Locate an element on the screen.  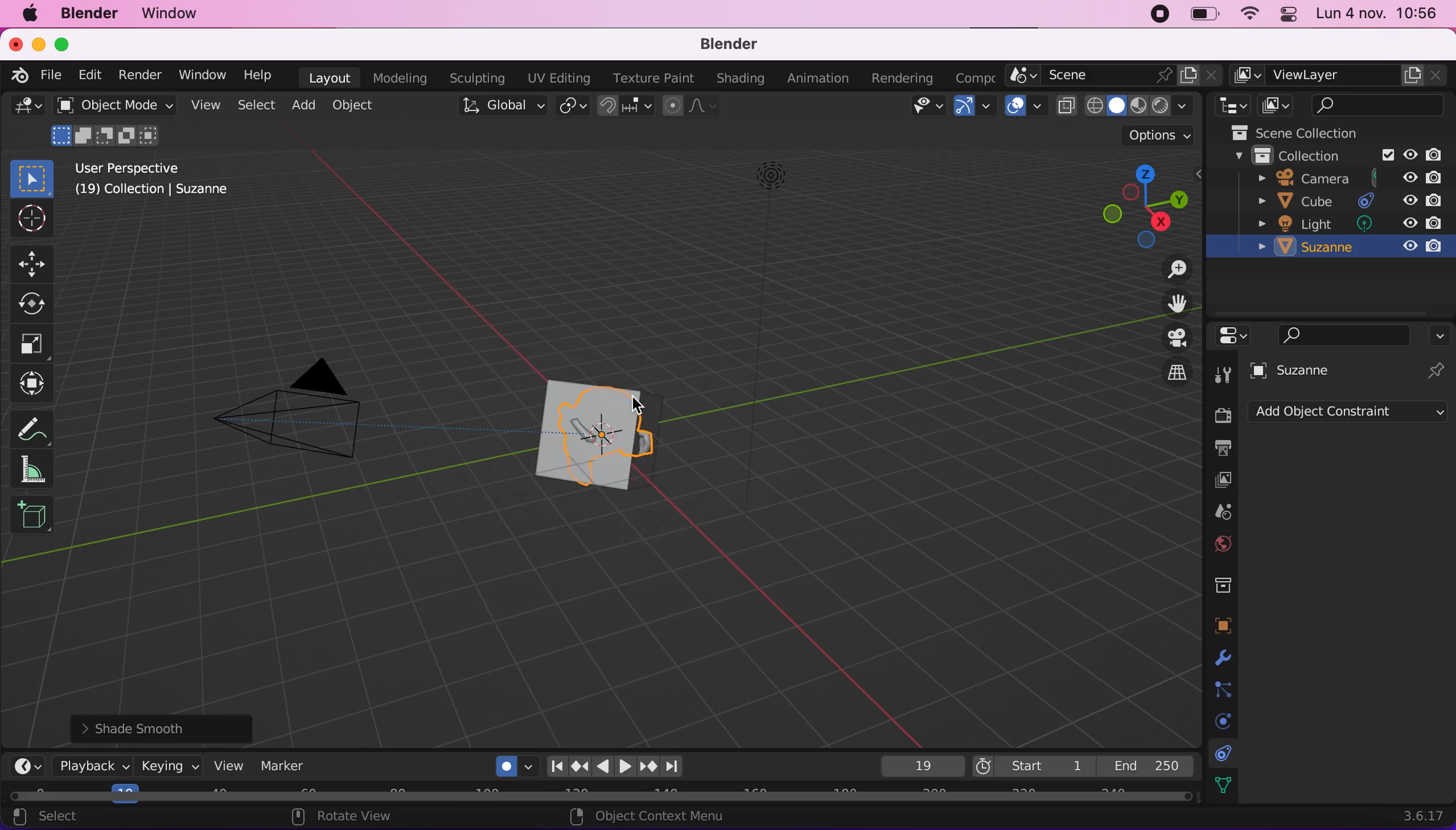
transformation orientation is located at coordinates (501, 106).